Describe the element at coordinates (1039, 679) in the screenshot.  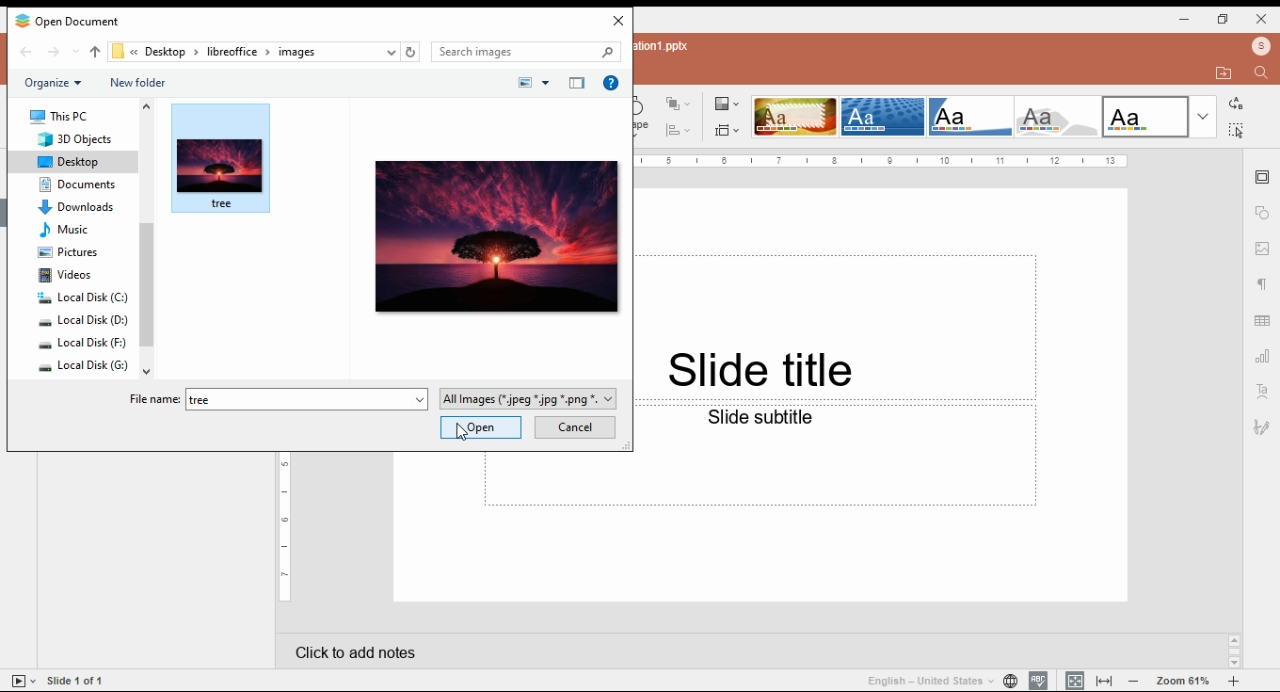
I see `spell check` at that location.